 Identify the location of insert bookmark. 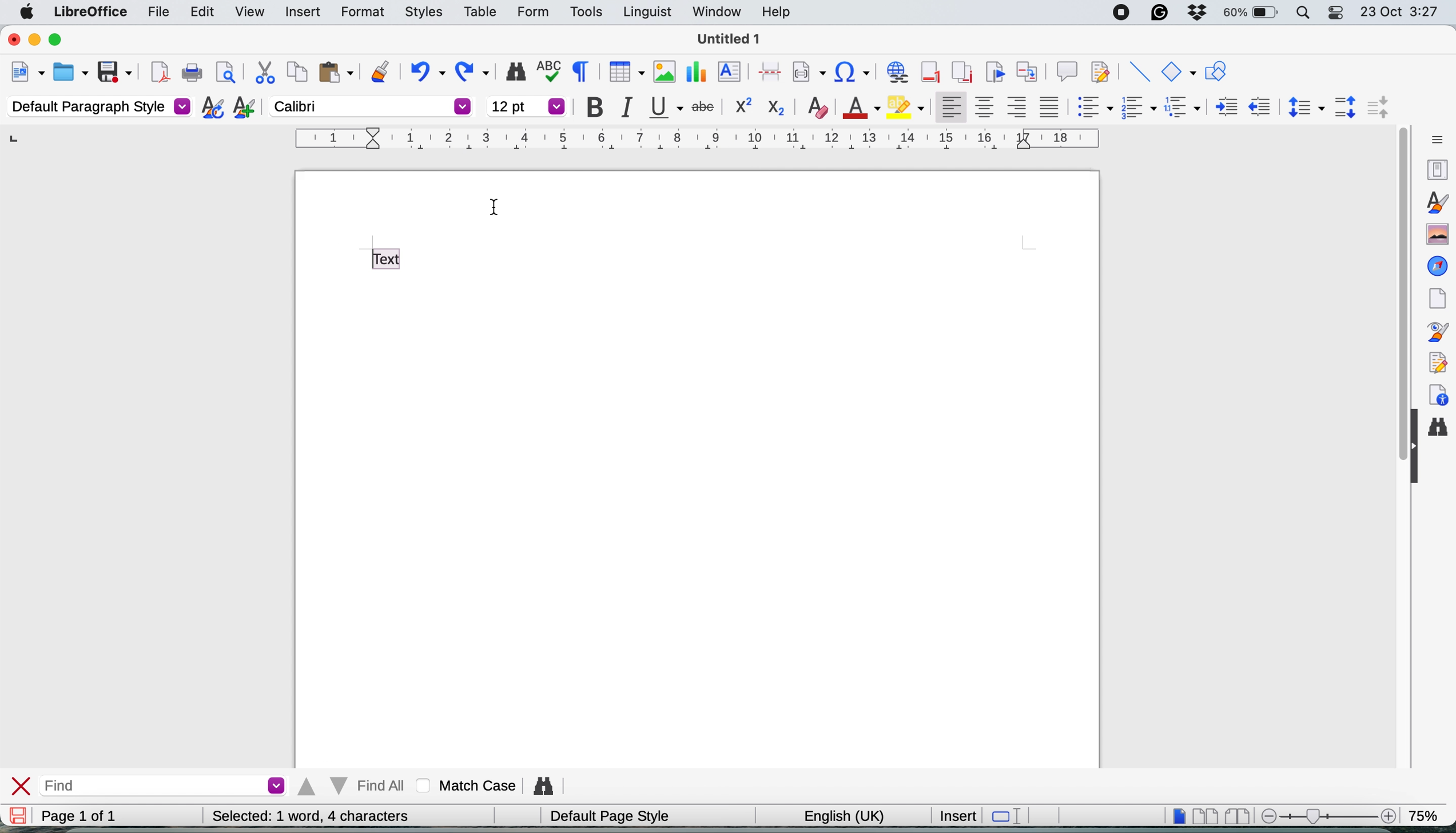
(994, 73).